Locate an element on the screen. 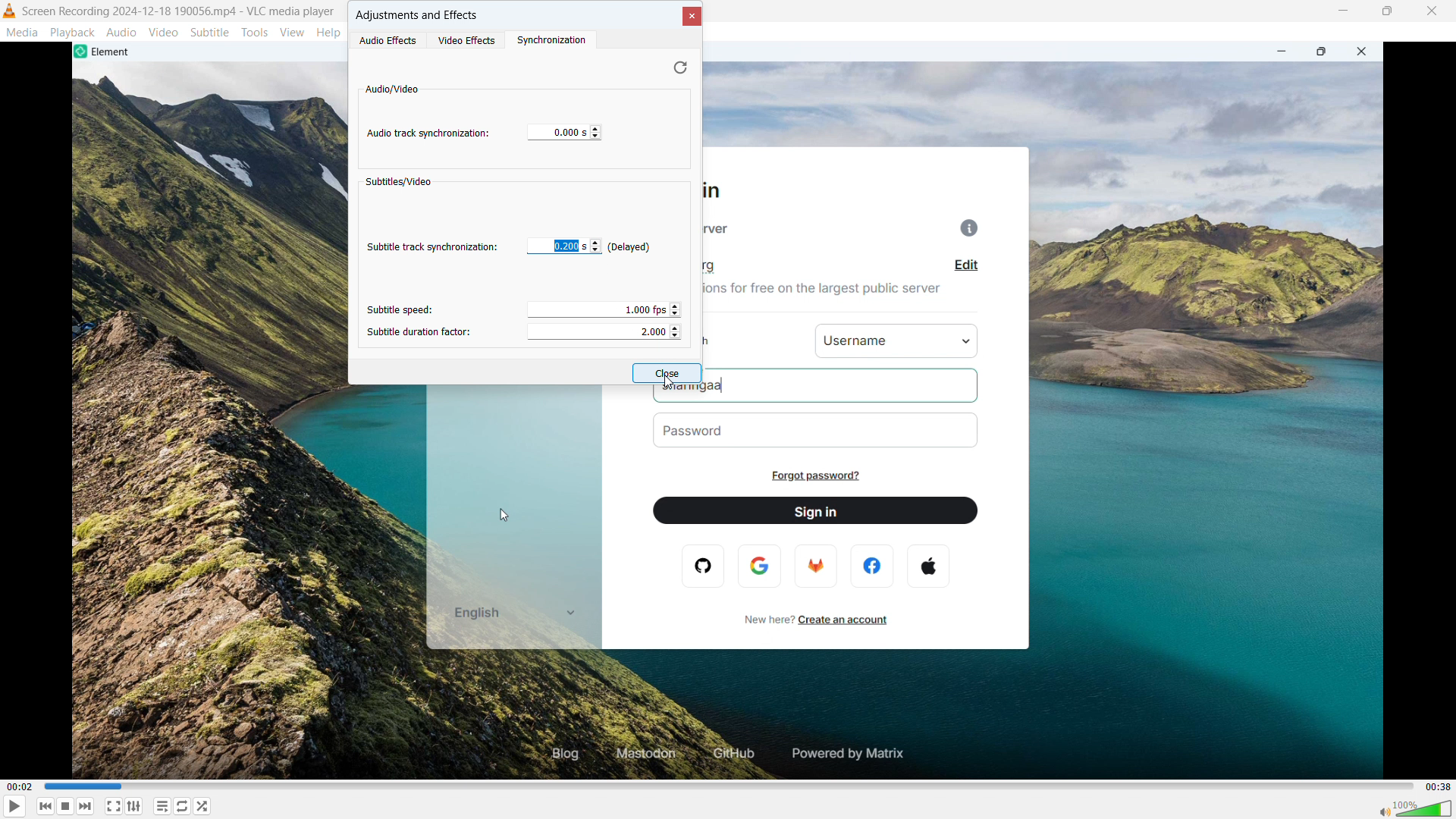  adjust subtitle track synchronization is located at coordinates (596, 246).